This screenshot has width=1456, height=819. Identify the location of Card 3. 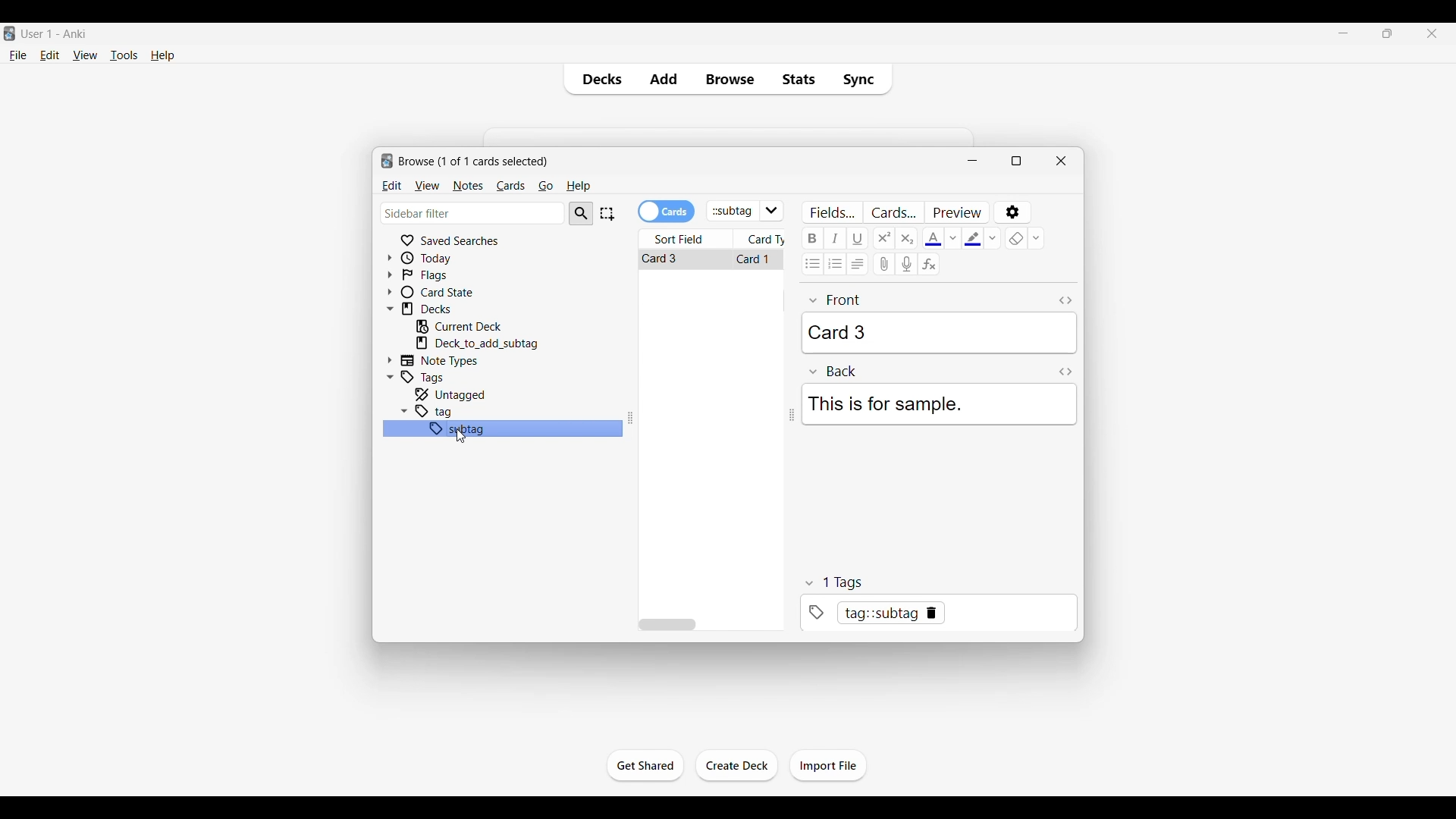
(939, 333).